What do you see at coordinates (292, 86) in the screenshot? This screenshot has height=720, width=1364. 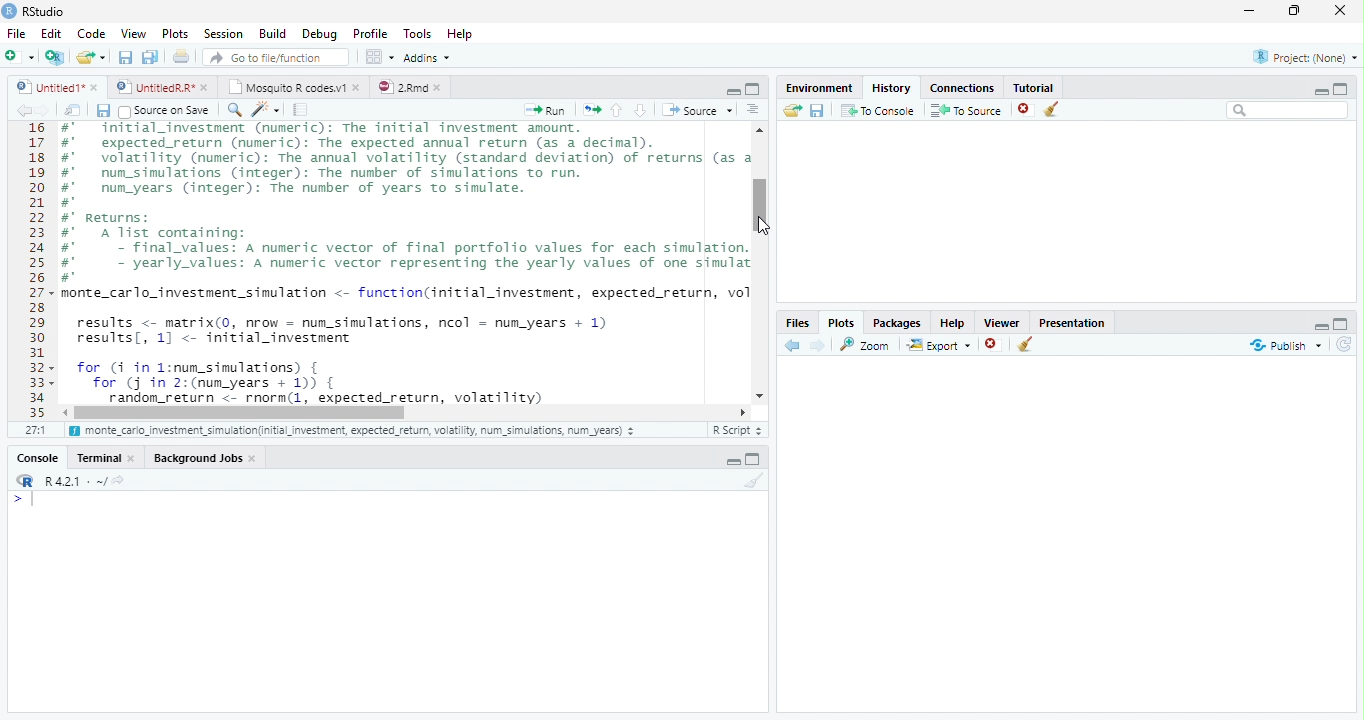 I see `Mosquito R codes.v1` at bounding box center [292, 86].